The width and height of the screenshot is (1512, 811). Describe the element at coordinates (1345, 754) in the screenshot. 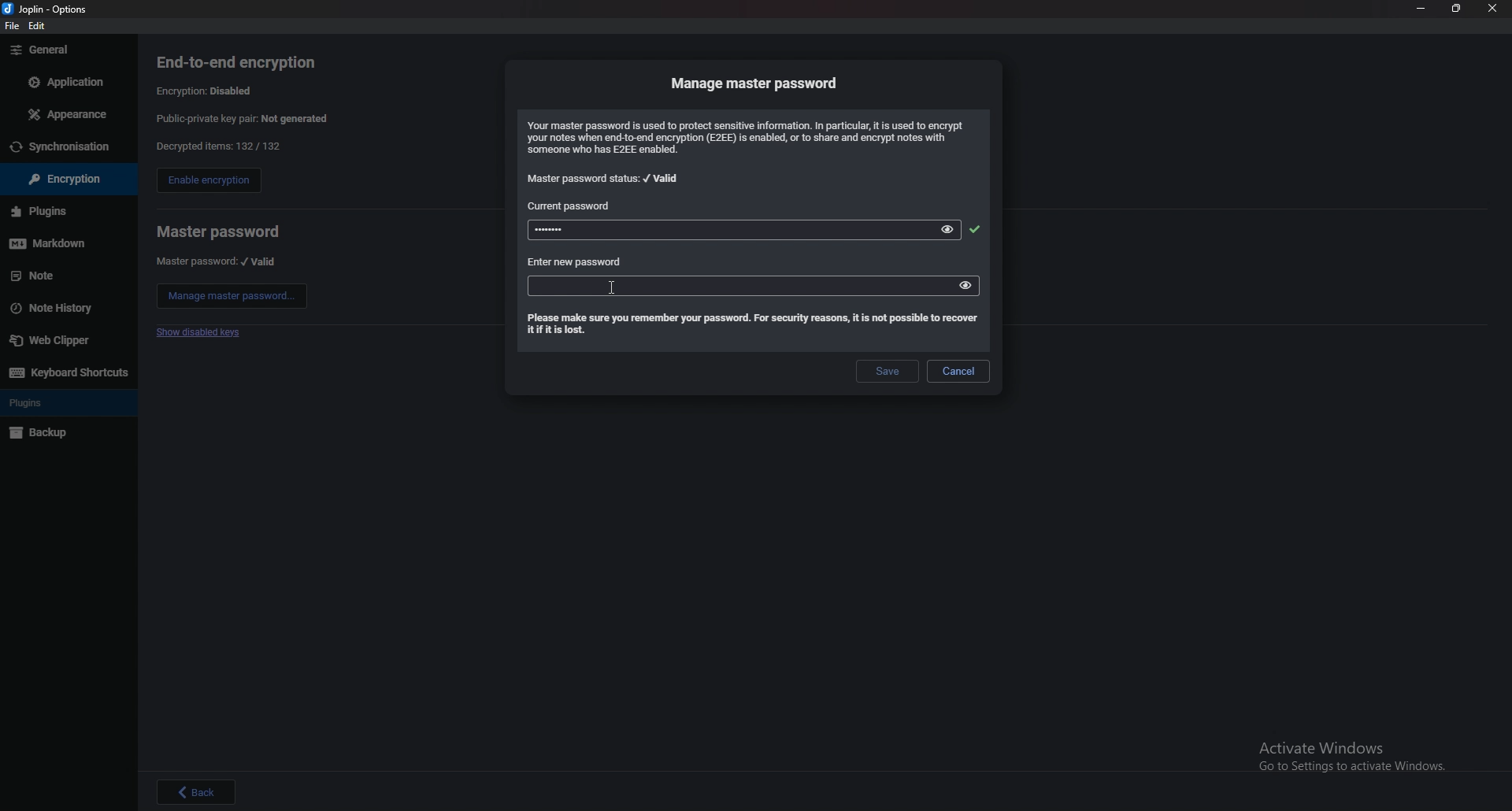

I see `Activate Windows` at that location.